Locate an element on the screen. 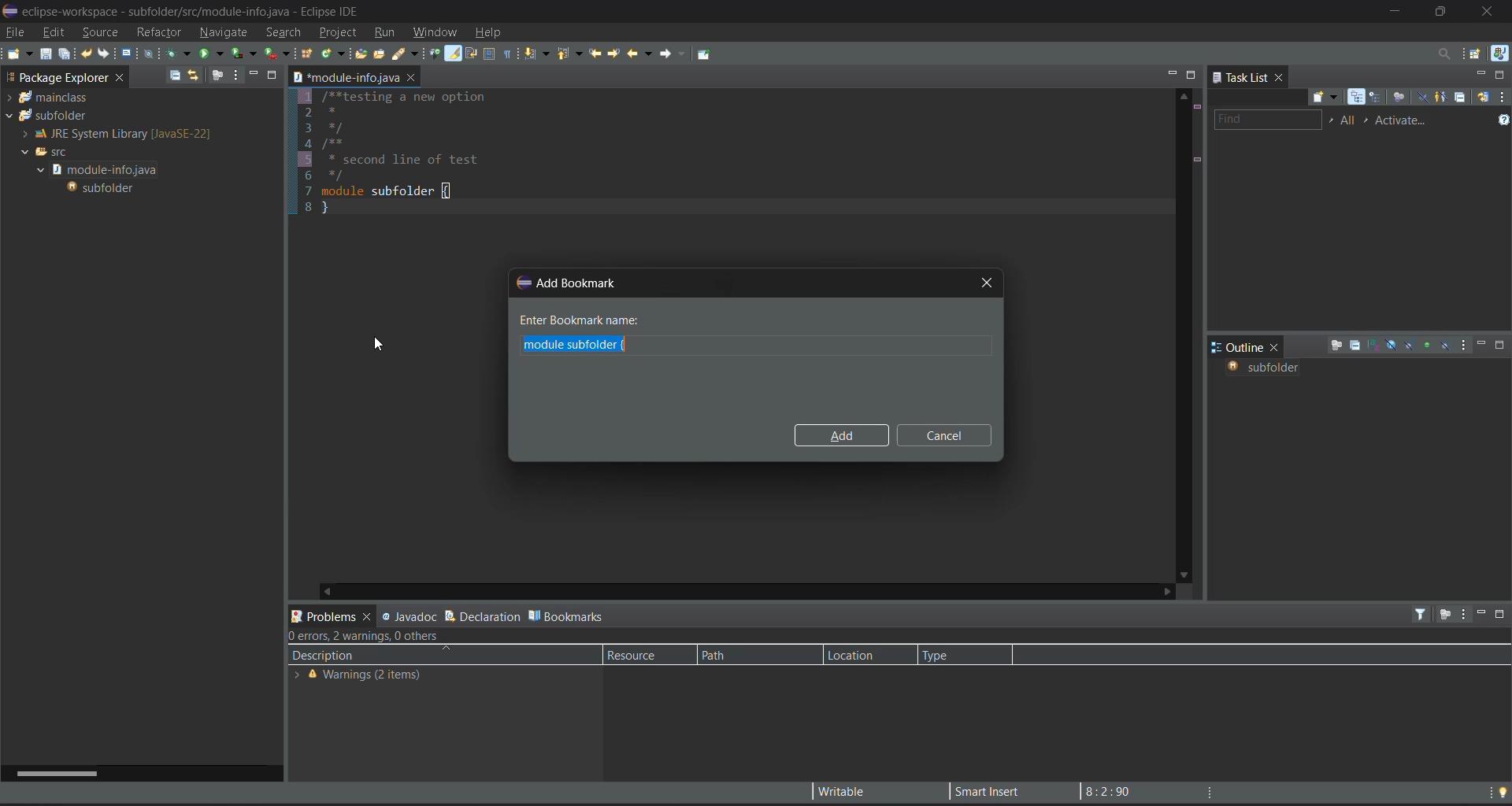 The height and width of the screenshot is (806, 1512). problems is located at coordinates (332, 615).